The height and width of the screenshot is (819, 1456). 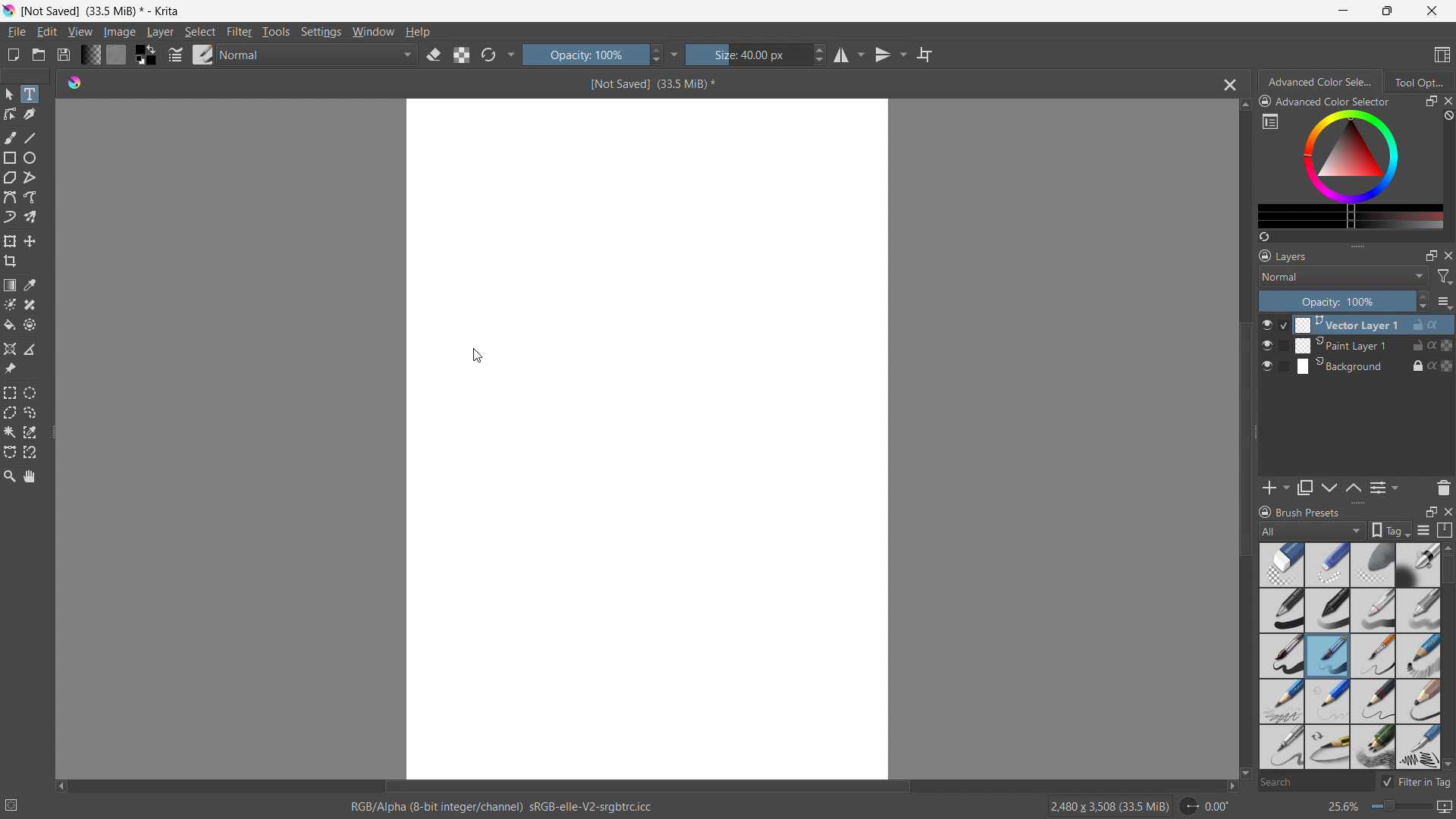 I want to click on edit shapes tool, so click(x=11, y=114).